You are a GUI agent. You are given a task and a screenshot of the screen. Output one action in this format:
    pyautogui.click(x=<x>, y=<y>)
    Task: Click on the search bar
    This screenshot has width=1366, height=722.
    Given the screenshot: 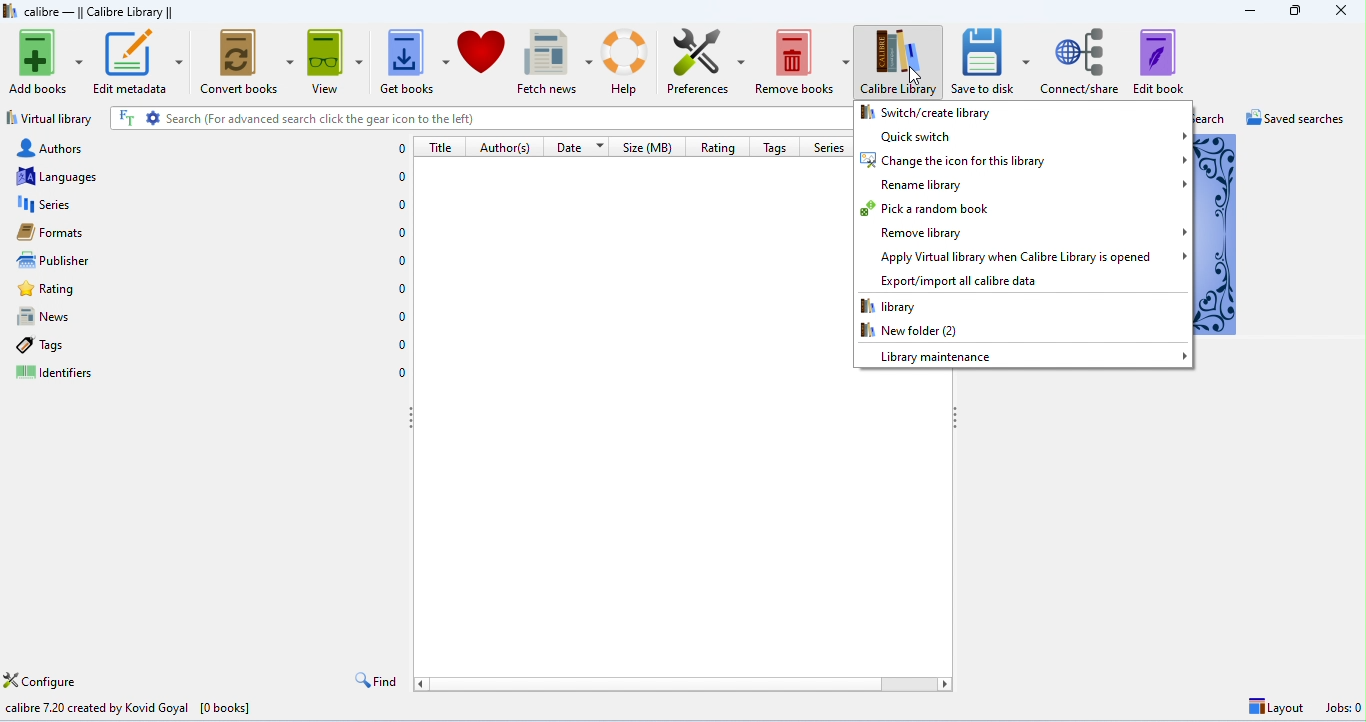 What is the action you would take?
    pyautogui.click(x=482, y=119)
    